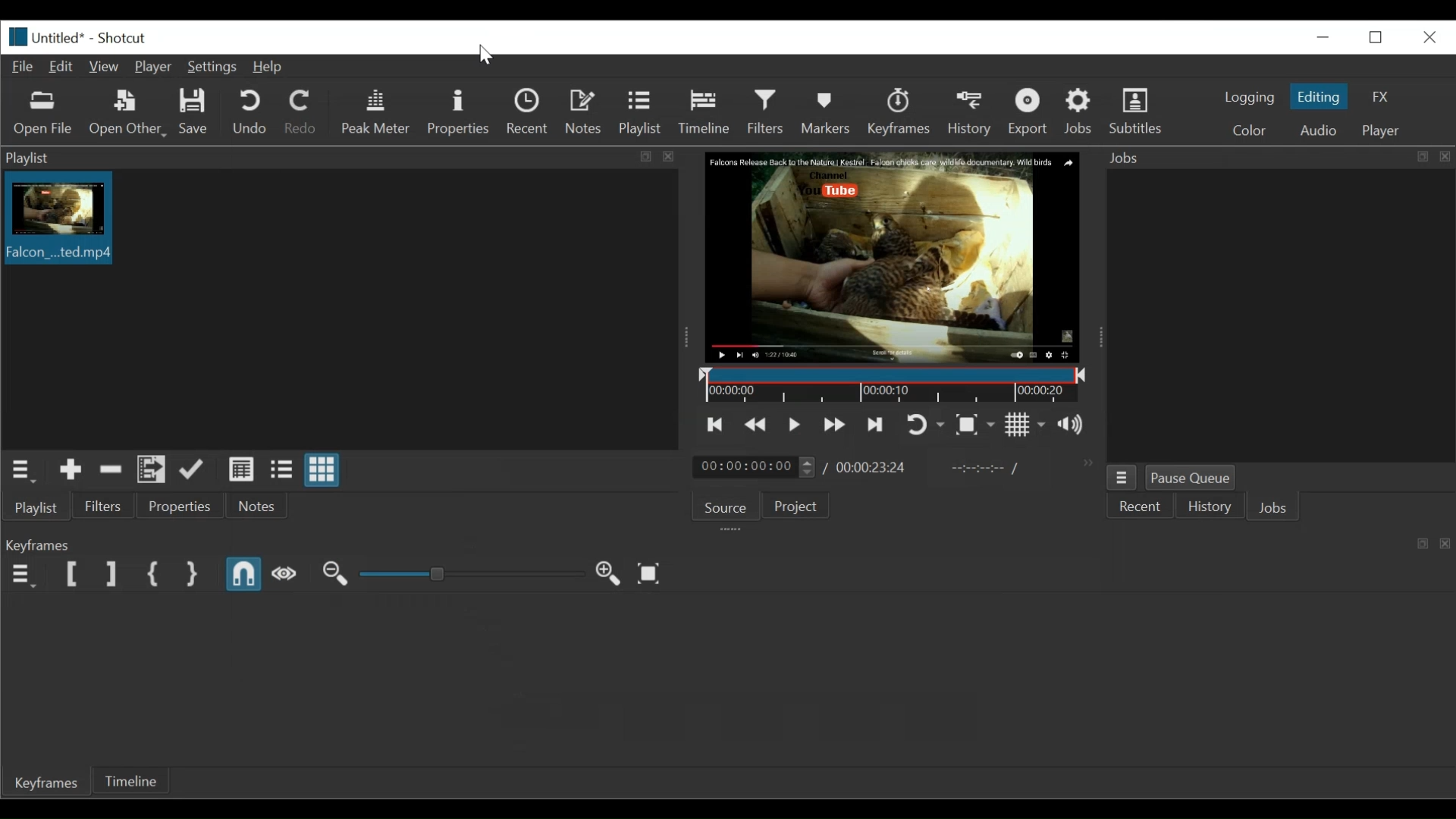 This screenshot has height=819, width=1456. What do you see at coordinates (1427, 37) in the screenshot?
I see `Close` at bounding box center [1427, 37].